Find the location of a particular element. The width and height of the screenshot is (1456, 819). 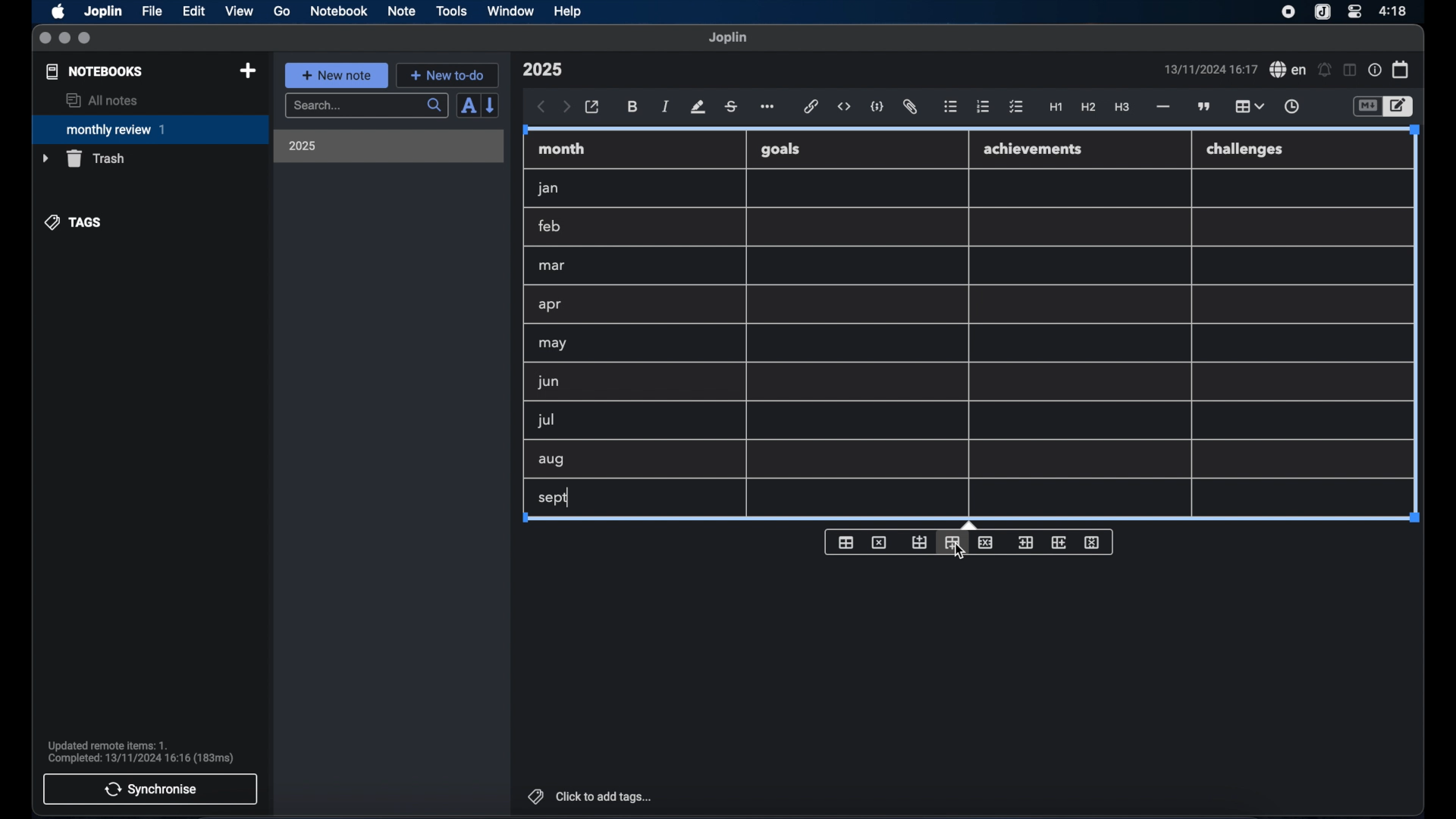

notebooks is located at coordinates (95, 71).